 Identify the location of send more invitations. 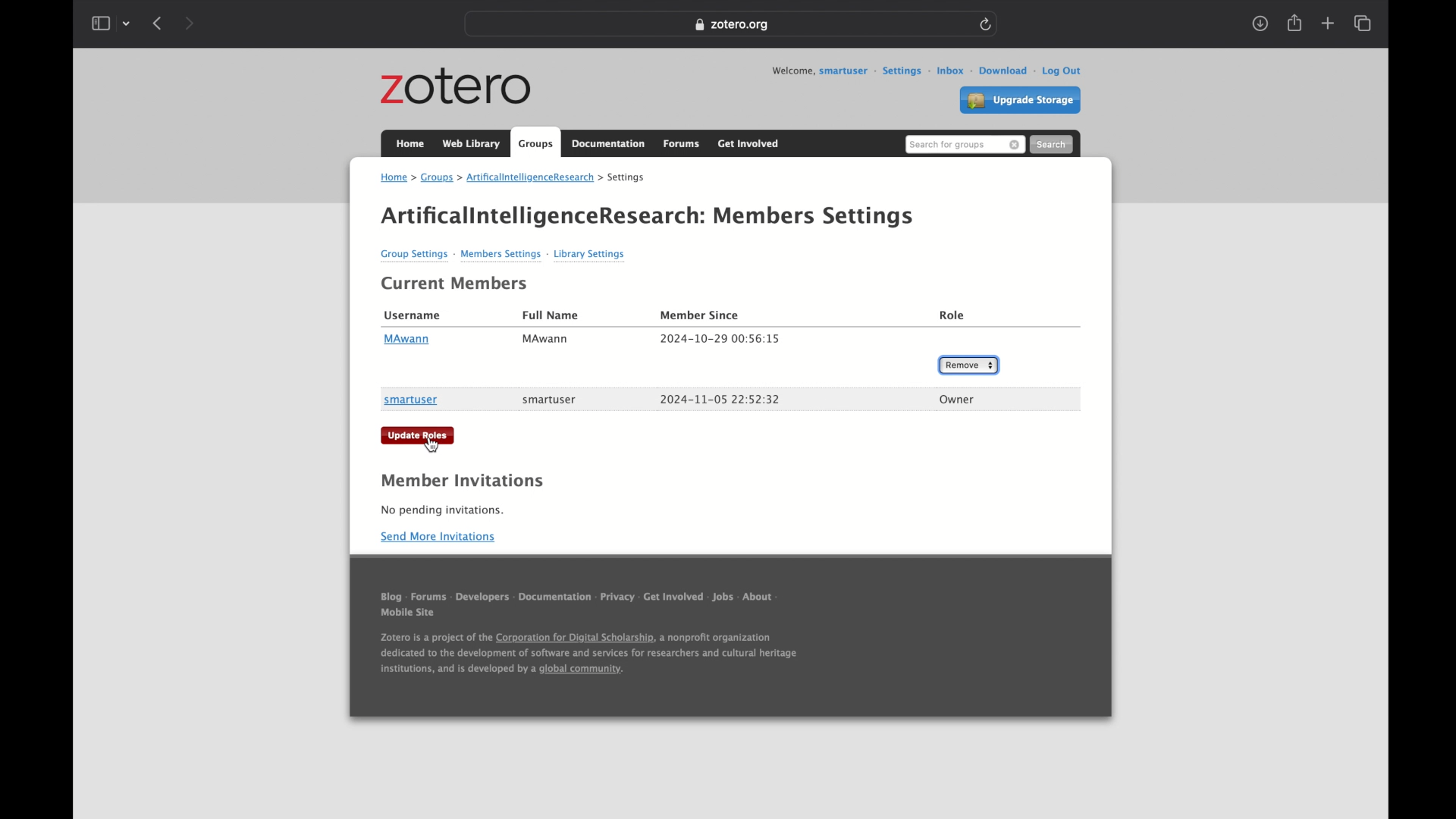
(439, 537).